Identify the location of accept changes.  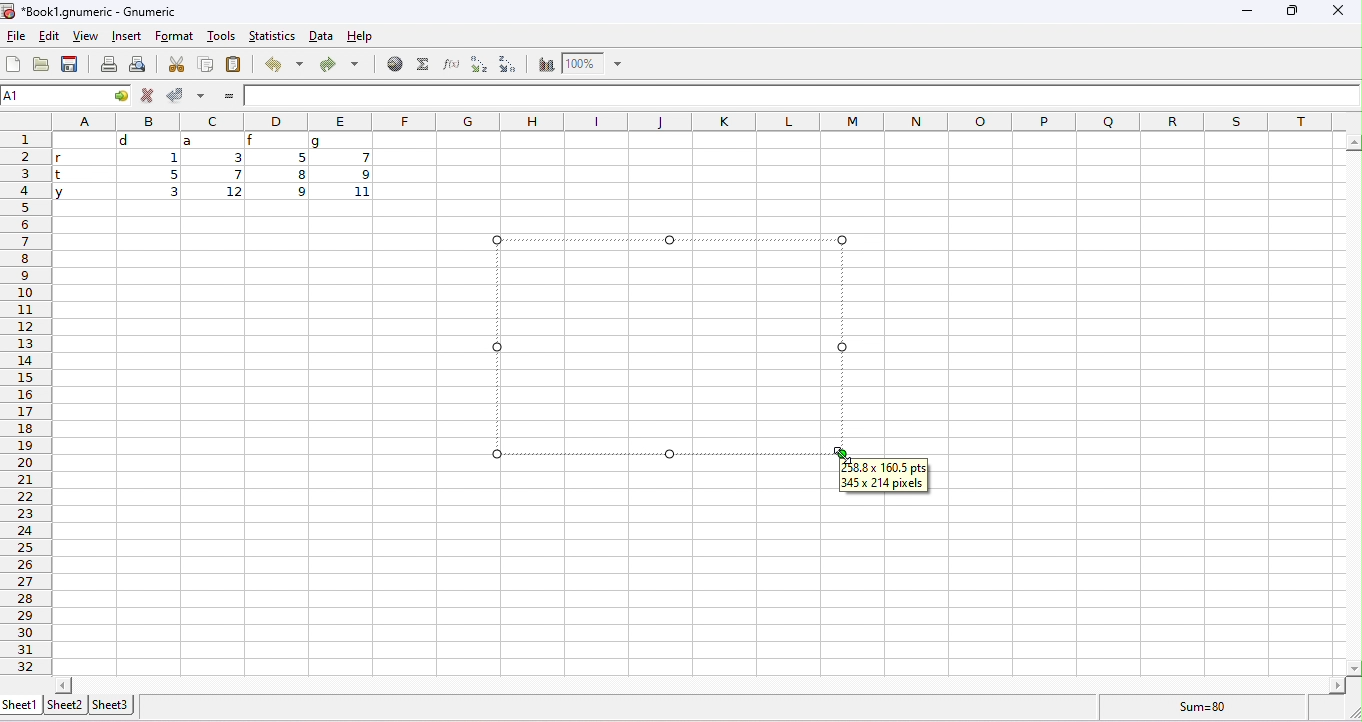
(176, 94).